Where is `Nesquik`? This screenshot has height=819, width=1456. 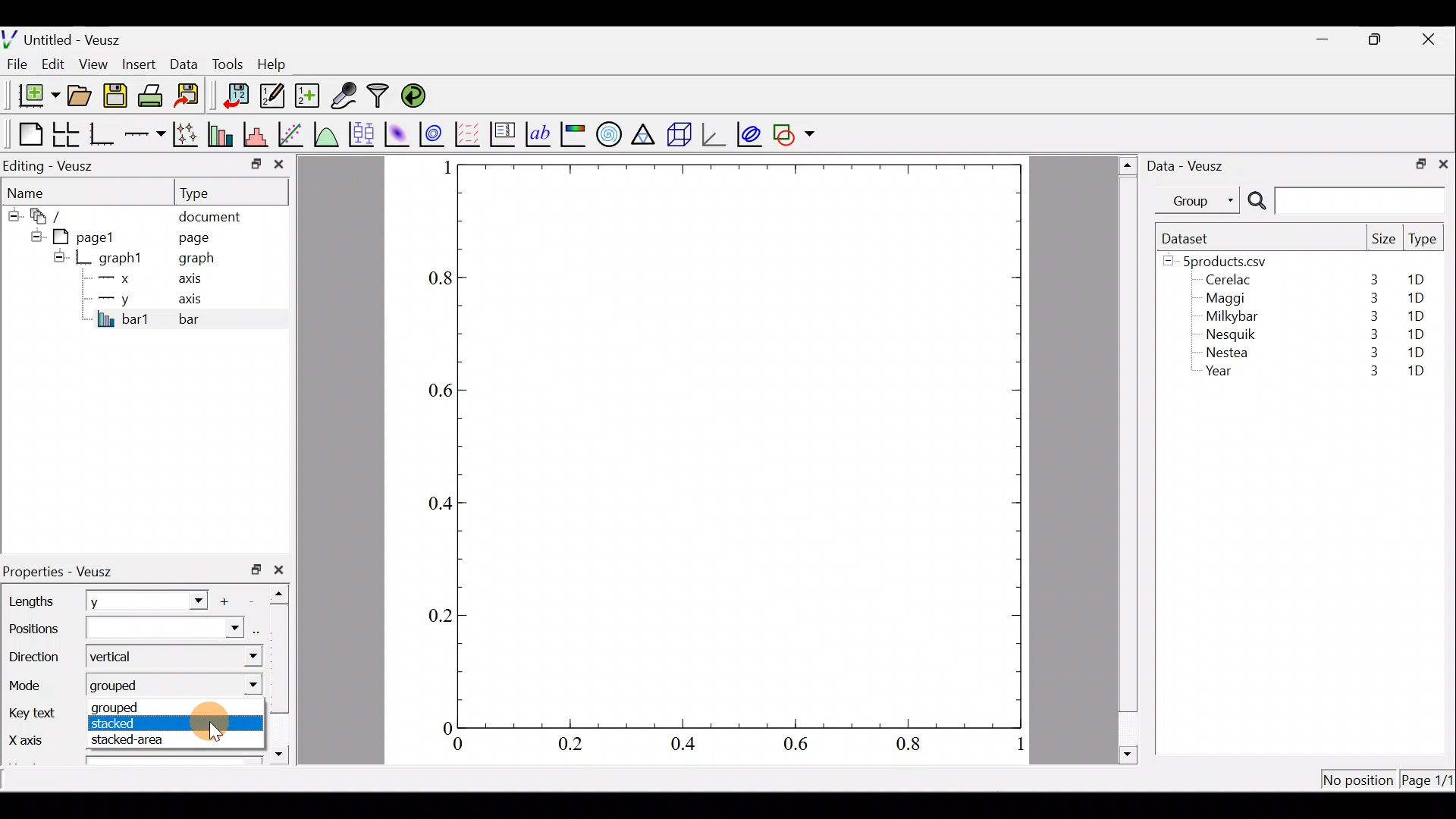
Nesquik is located at coordinates (1228, 334).